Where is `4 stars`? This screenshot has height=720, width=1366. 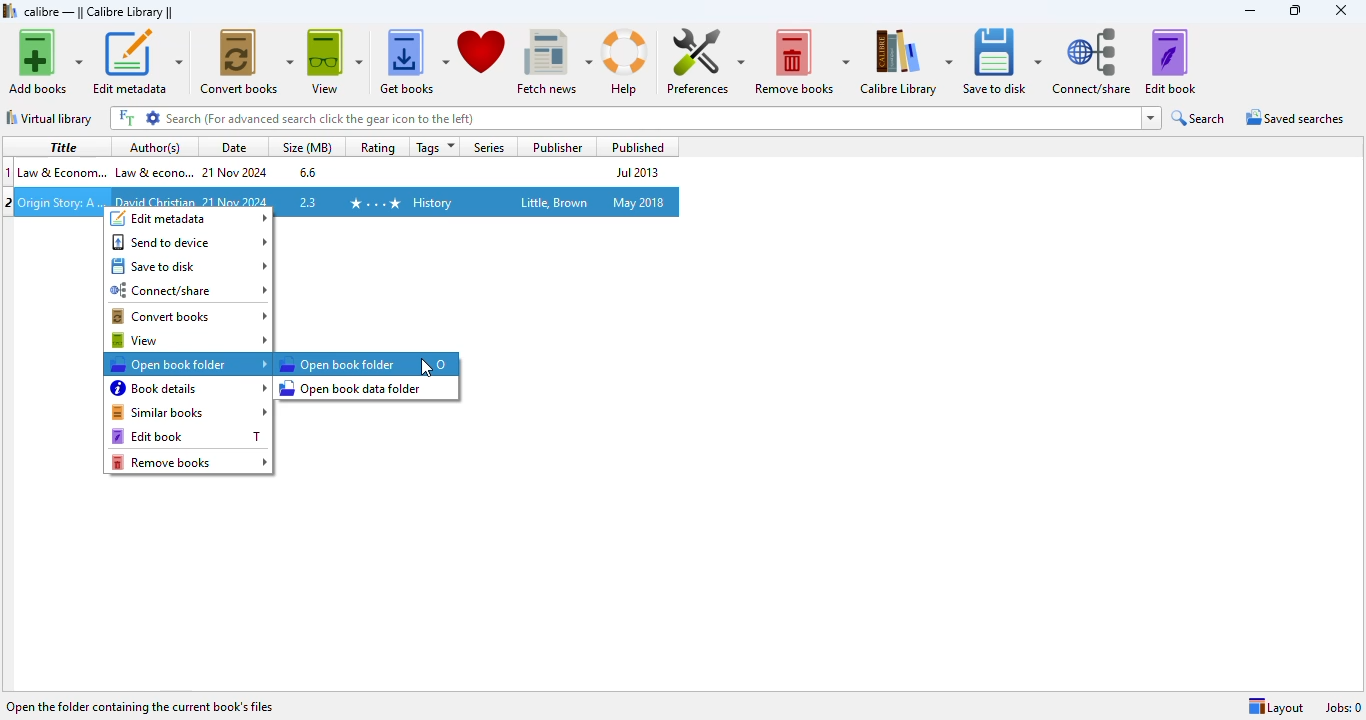 4 stars is located at coordinates (373, 202).